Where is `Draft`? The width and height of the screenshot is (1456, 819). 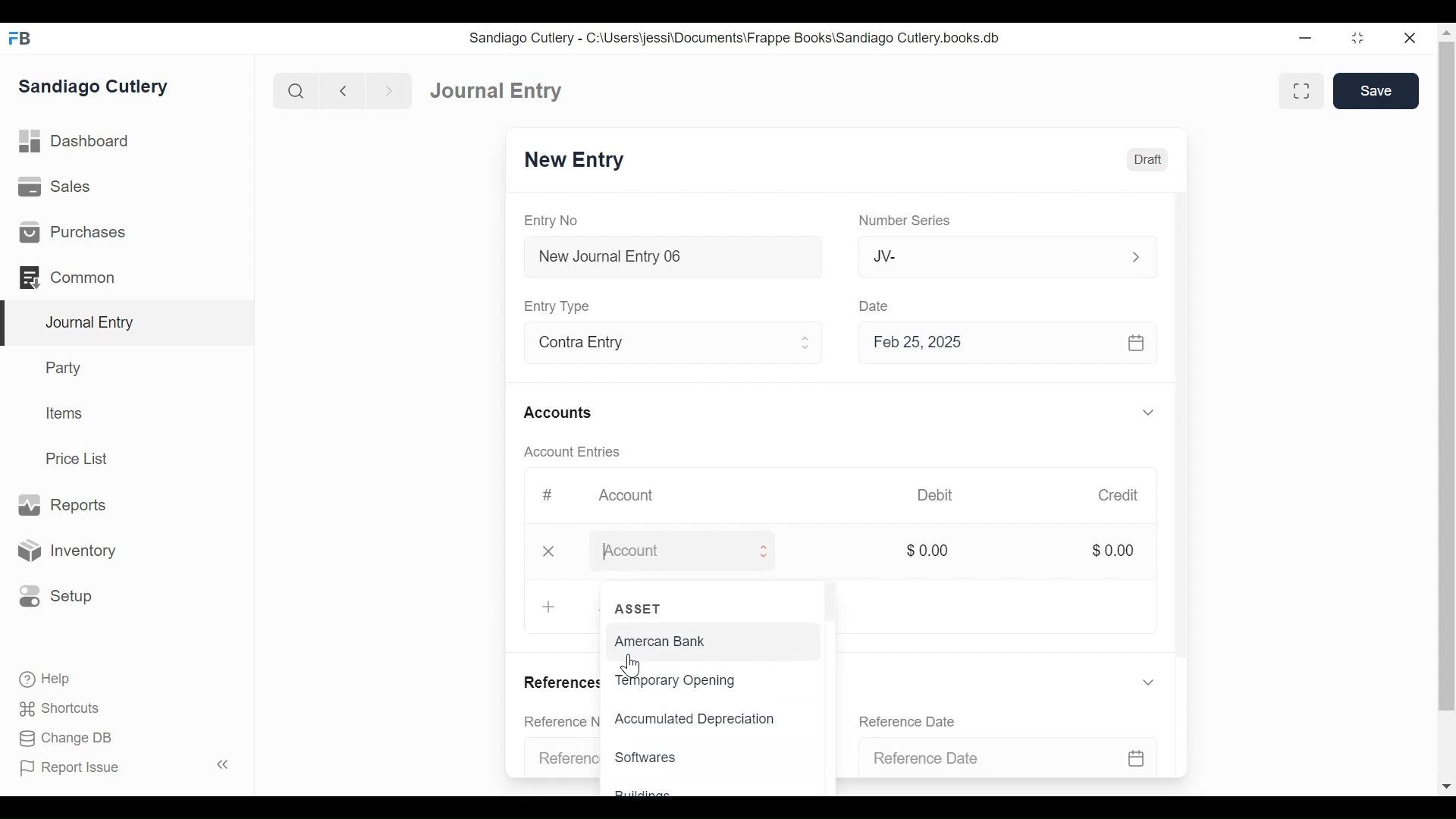 Draft is located at coordinates (1150, 160).